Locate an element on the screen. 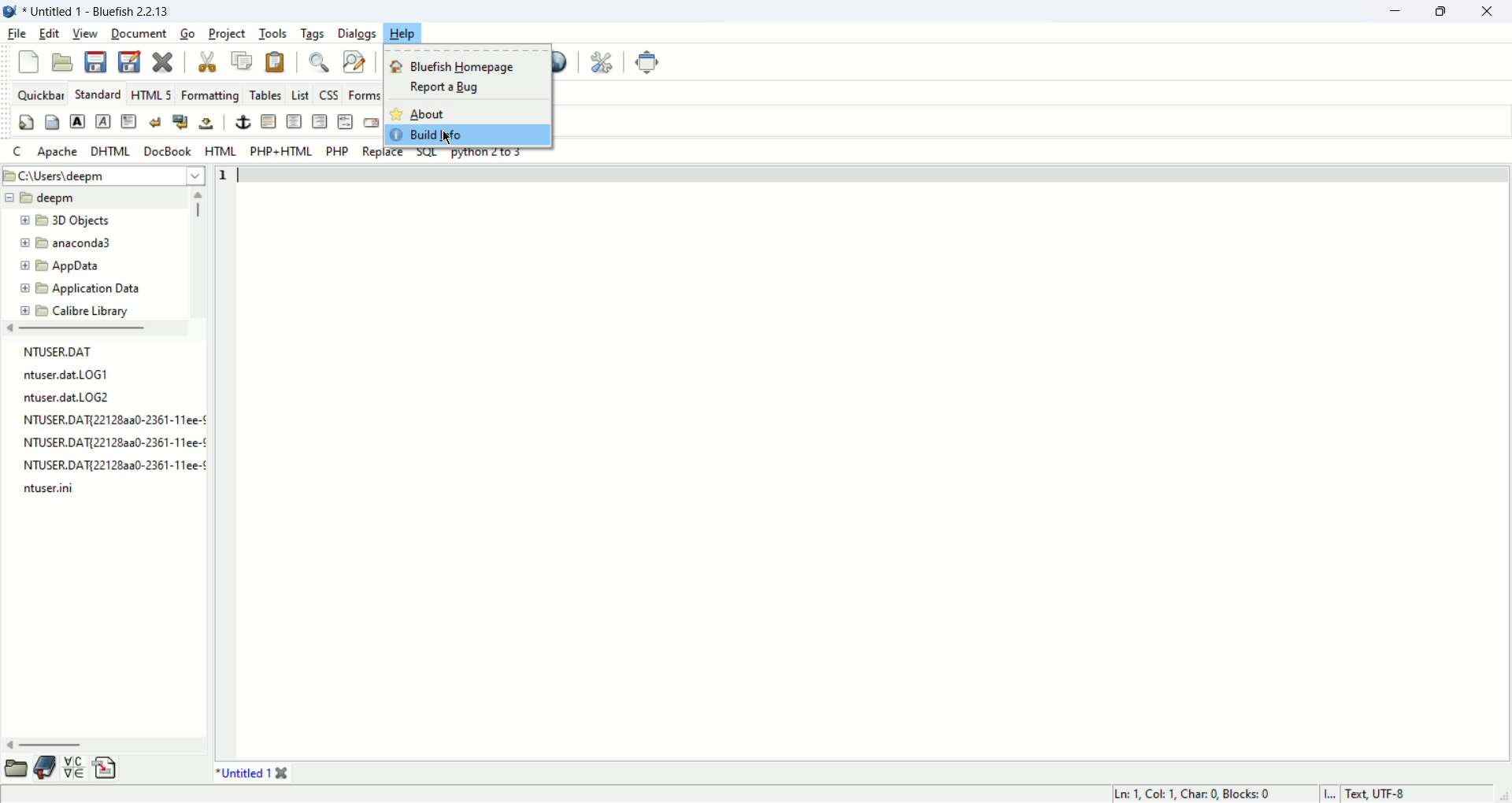 Image resolution: width=1512 pixels, height=803 pixels. folder name is located at coordinates (61, 267).